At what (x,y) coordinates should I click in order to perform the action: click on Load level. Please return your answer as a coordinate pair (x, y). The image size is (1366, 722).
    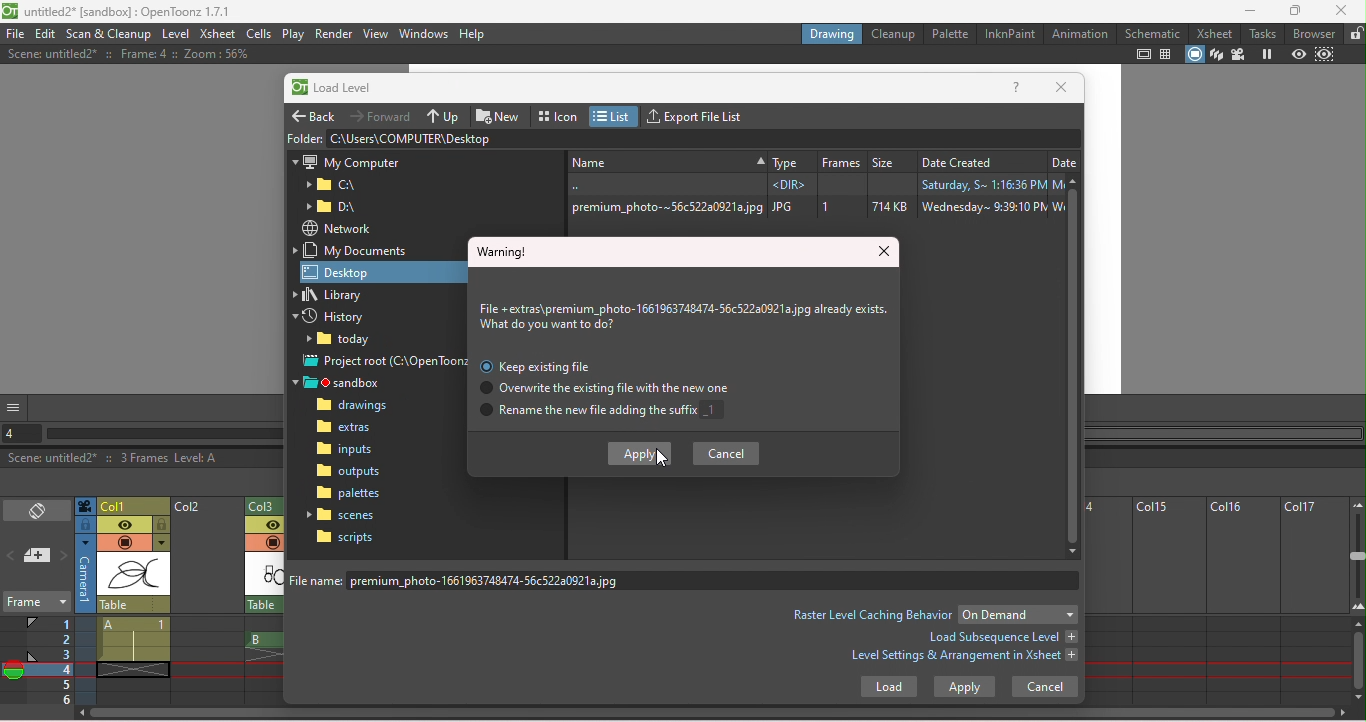
    Looking at the image, I should click on (343, 89).